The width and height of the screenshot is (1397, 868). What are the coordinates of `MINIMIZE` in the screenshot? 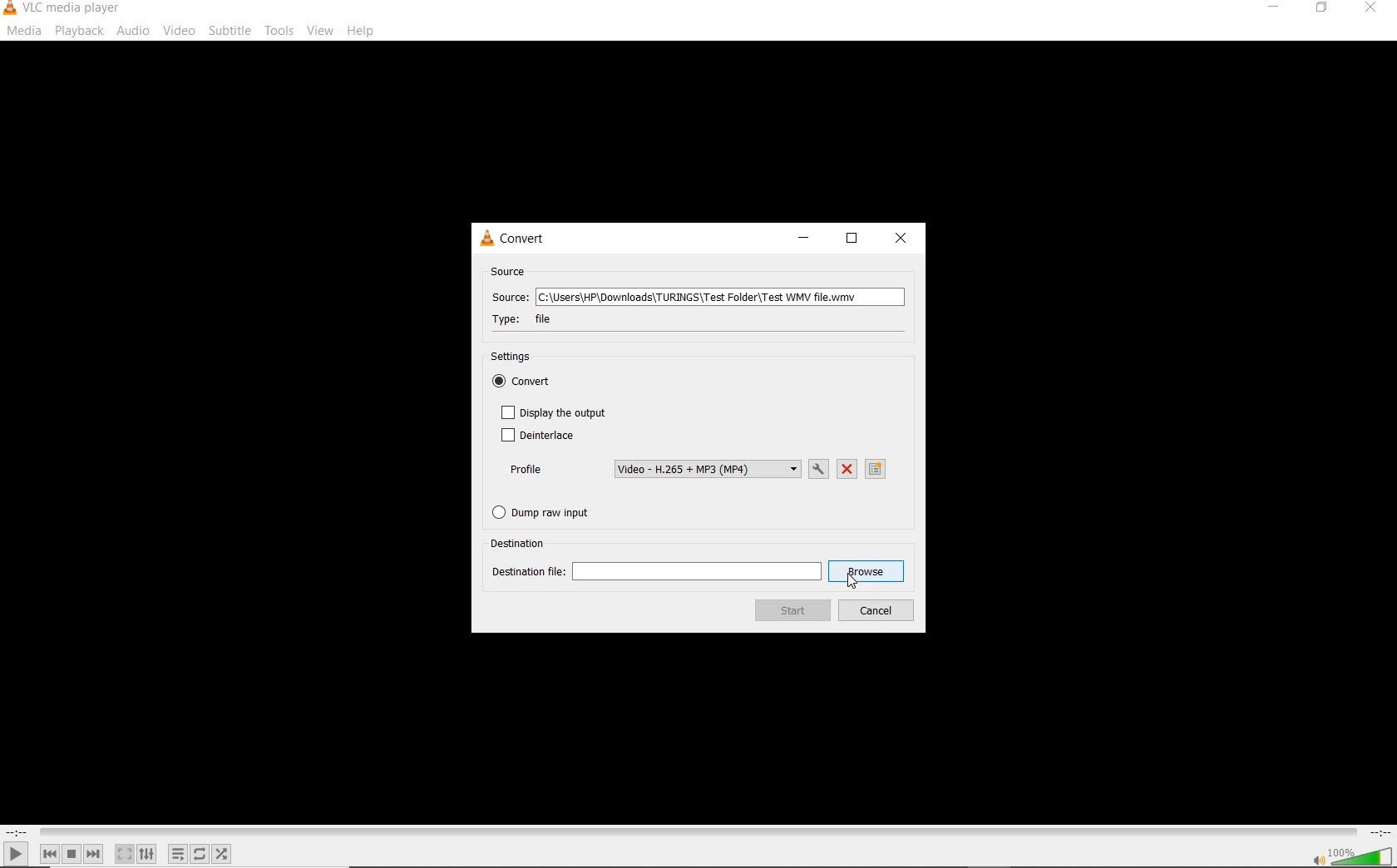 It's located at (801, 240).